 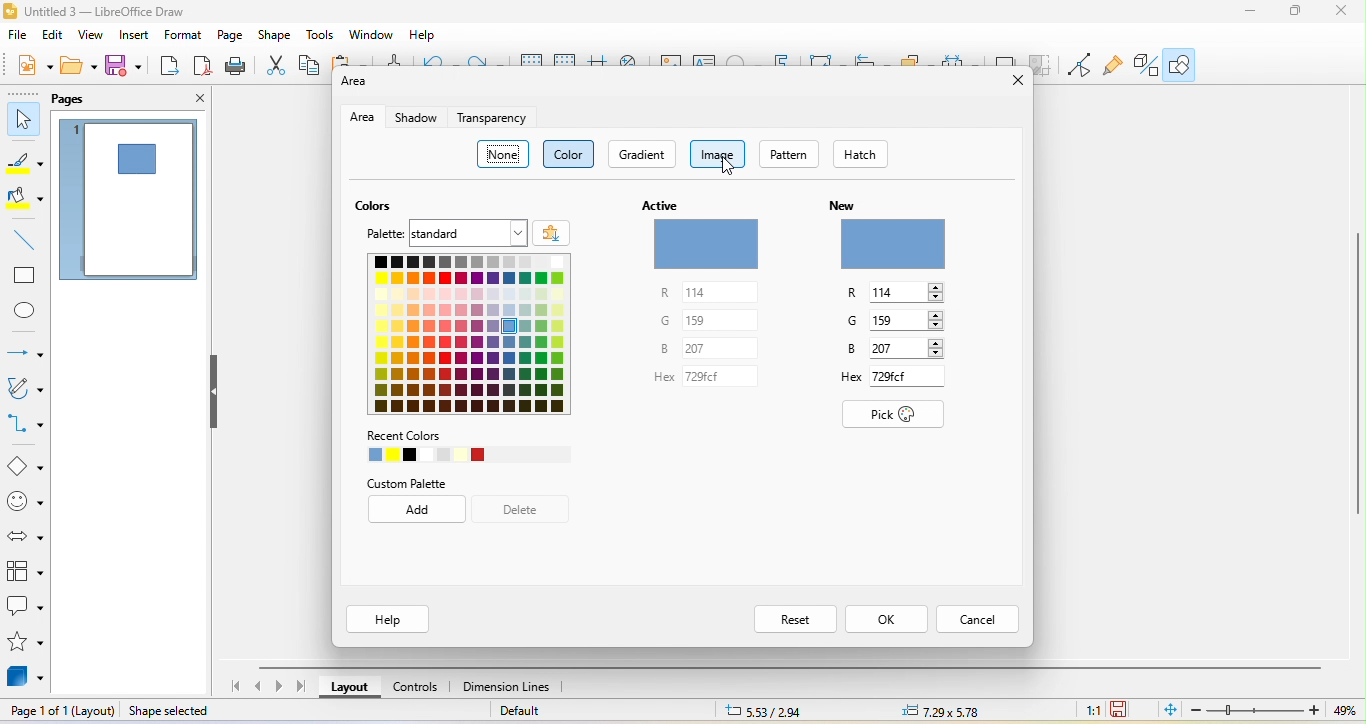 I want to click on maximize, so click(x=1296, y=13).